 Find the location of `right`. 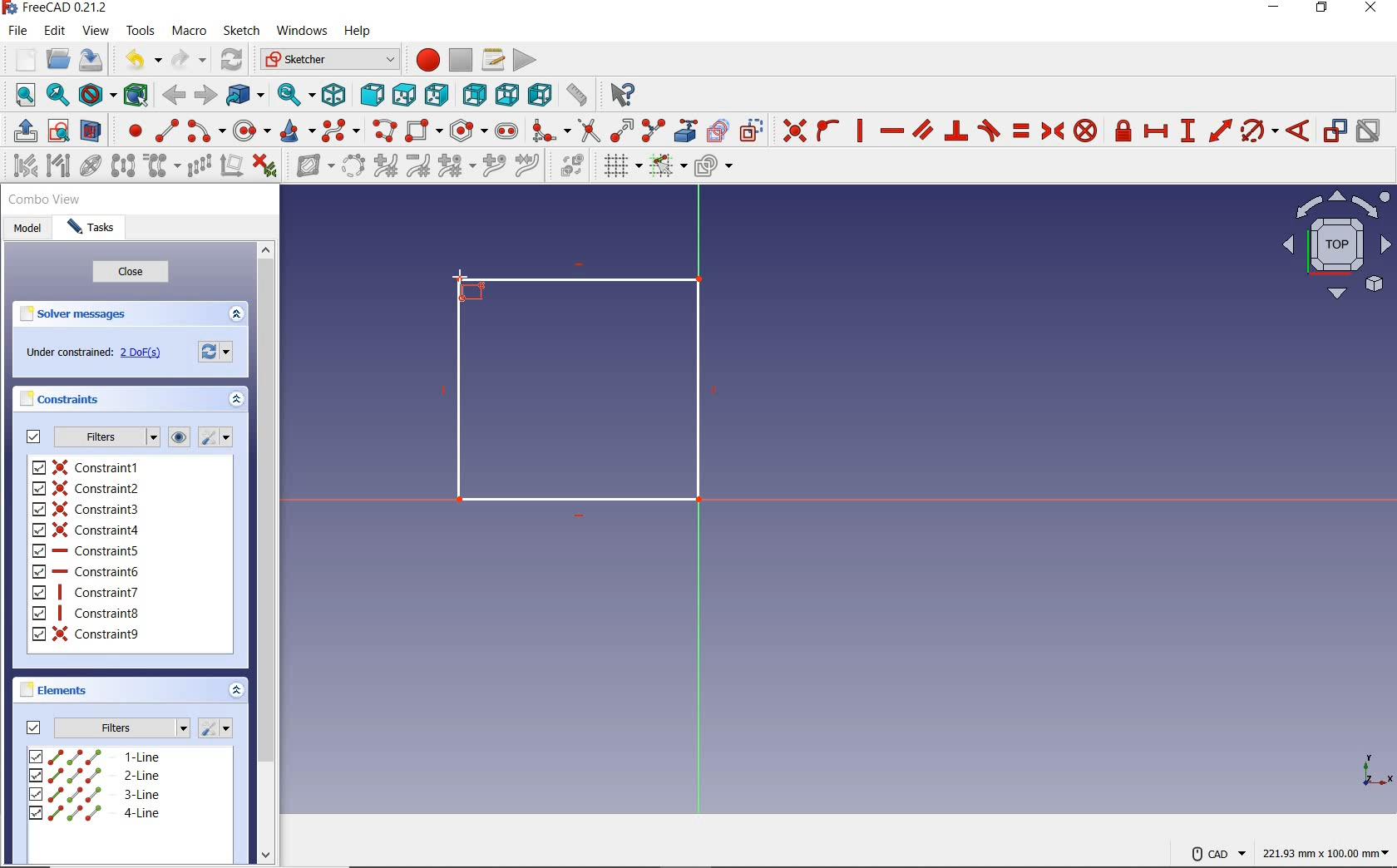

right is located at coordinates (438, 95).